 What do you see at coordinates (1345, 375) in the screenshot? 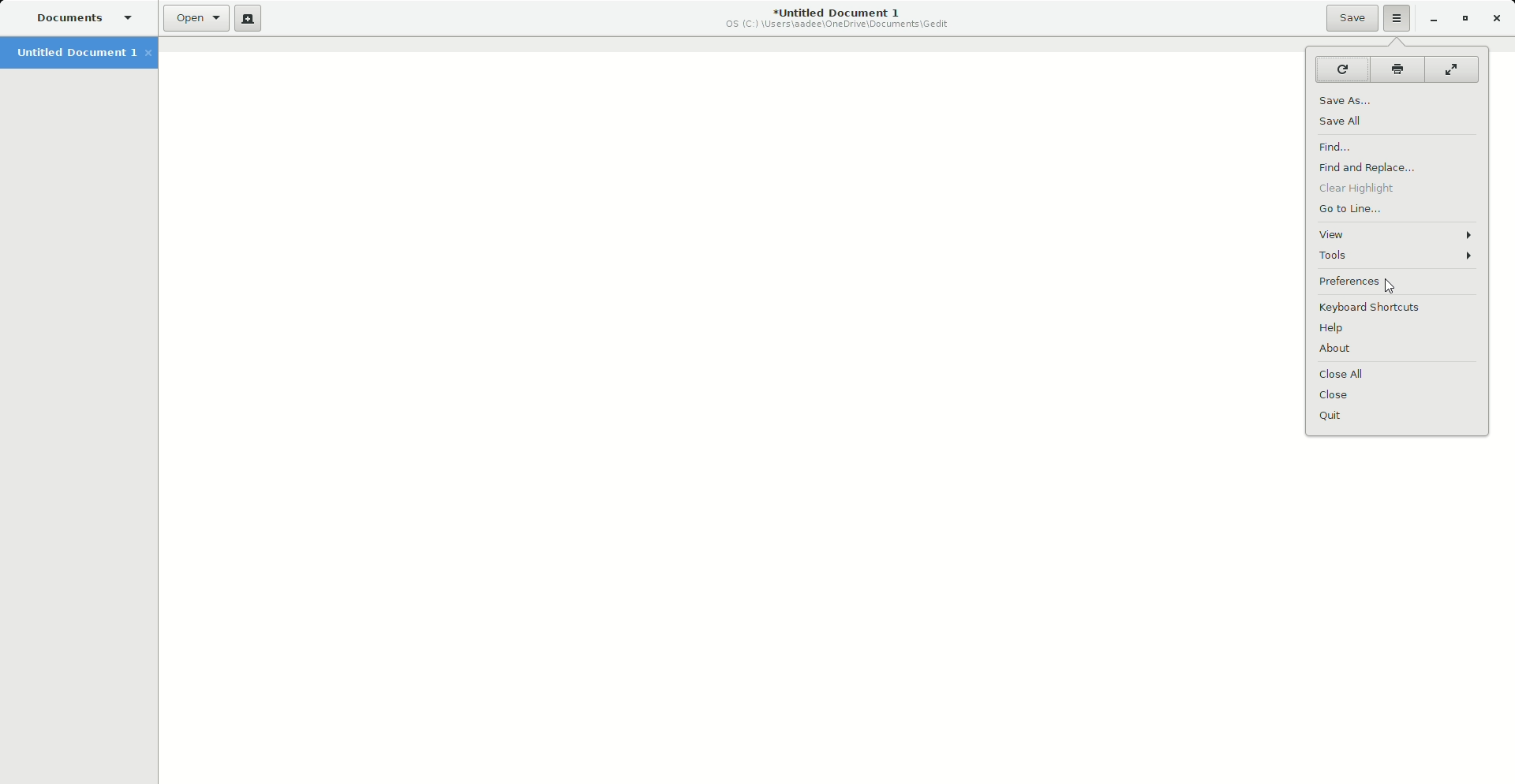
I see `Close all` at bounding box center [1345, 375].